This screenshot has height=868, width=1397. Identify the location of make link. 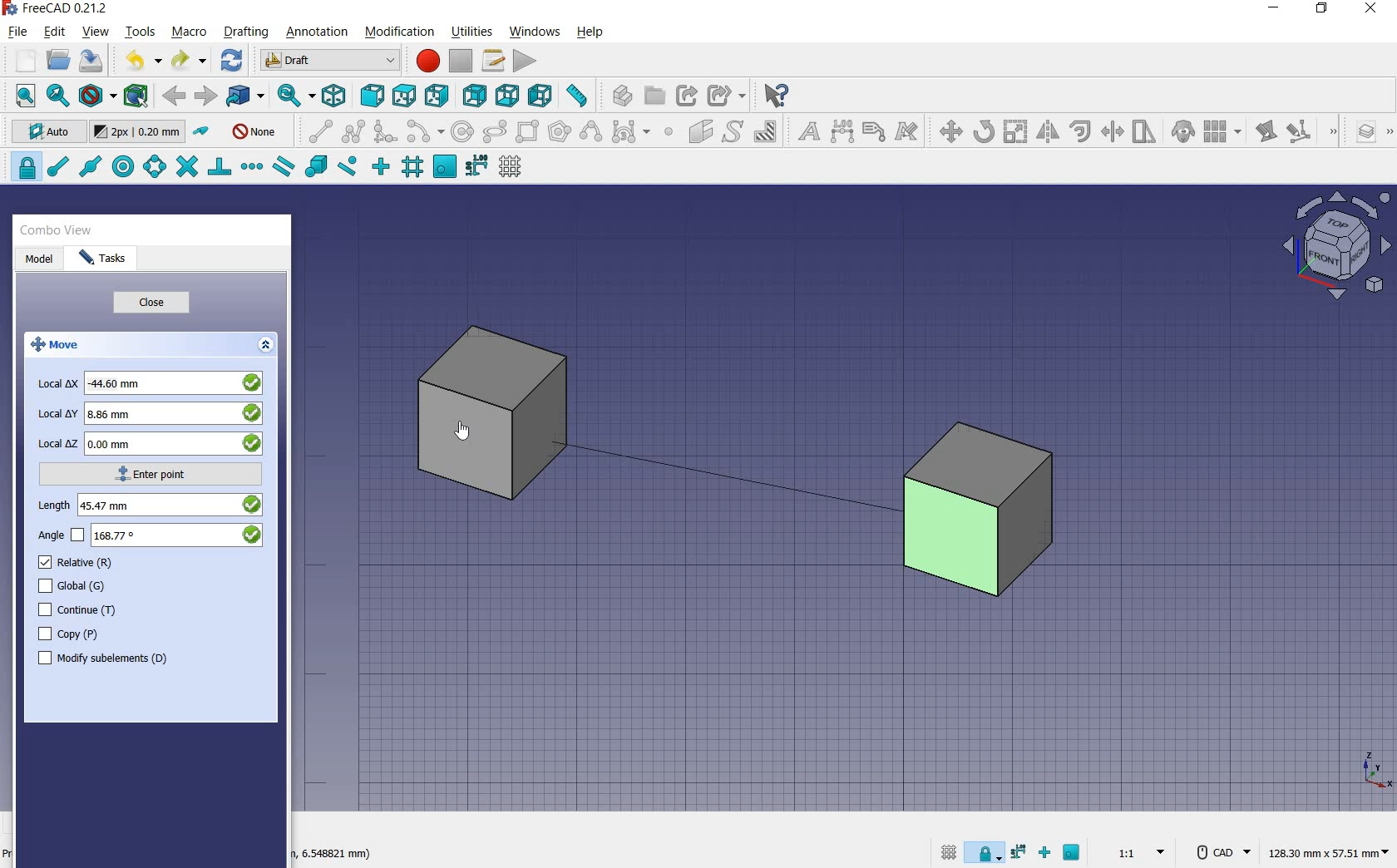
(687, 95).